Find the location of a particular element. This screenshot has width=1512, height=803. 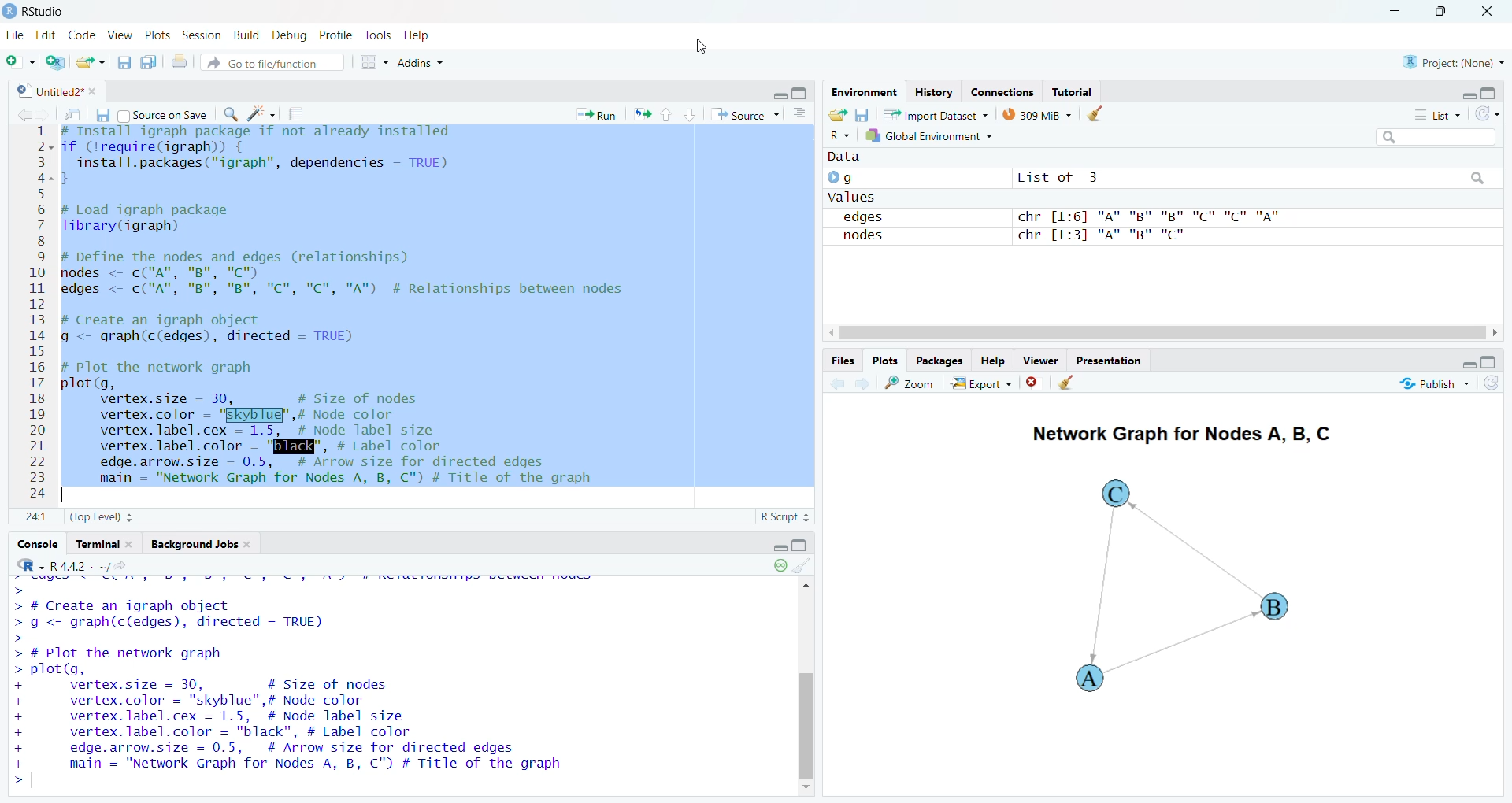

‘Global Environment is located at coordinates (930, 135).